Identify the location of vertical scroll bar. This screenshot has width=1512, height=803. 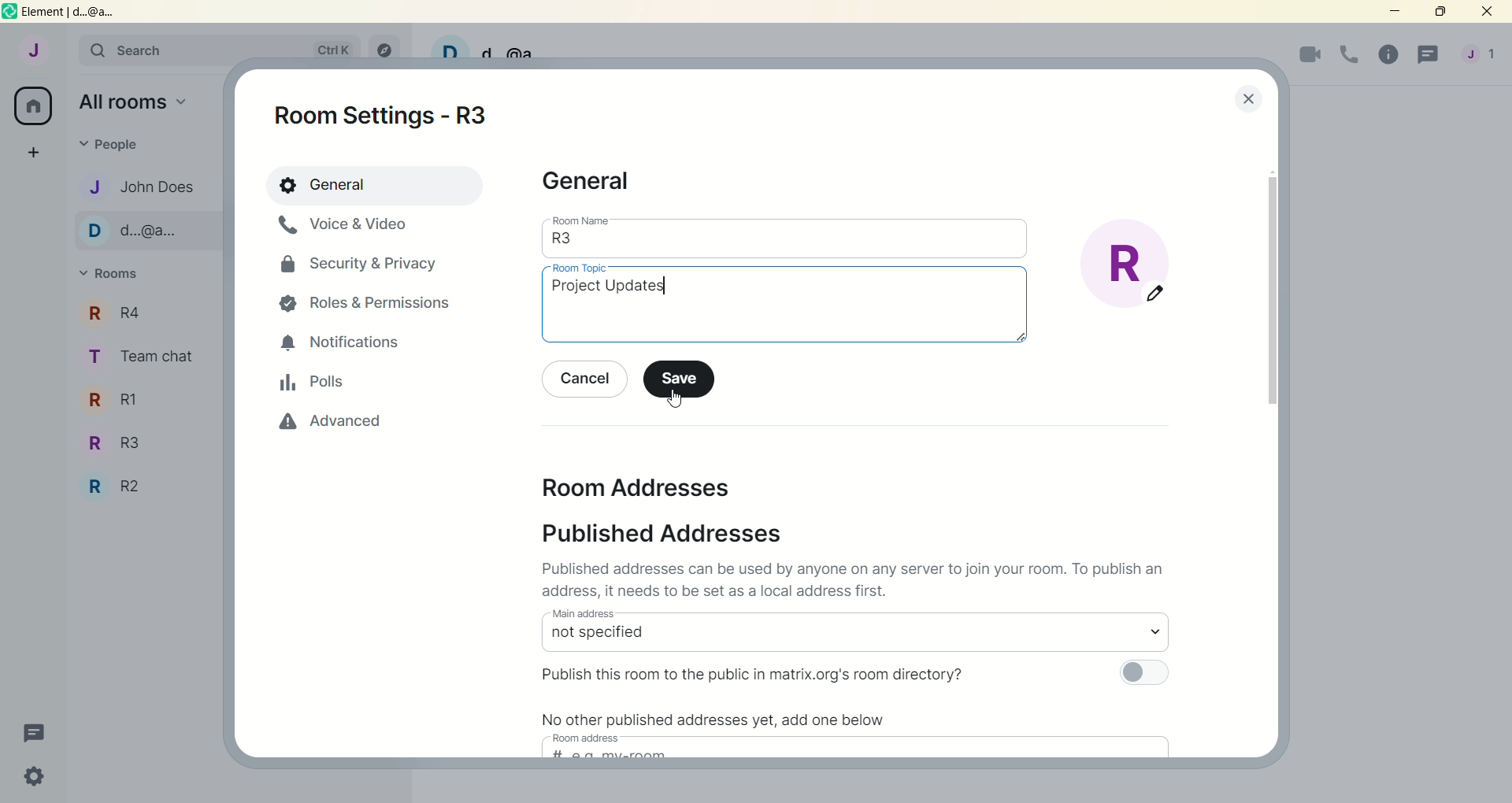
(1269, 292).